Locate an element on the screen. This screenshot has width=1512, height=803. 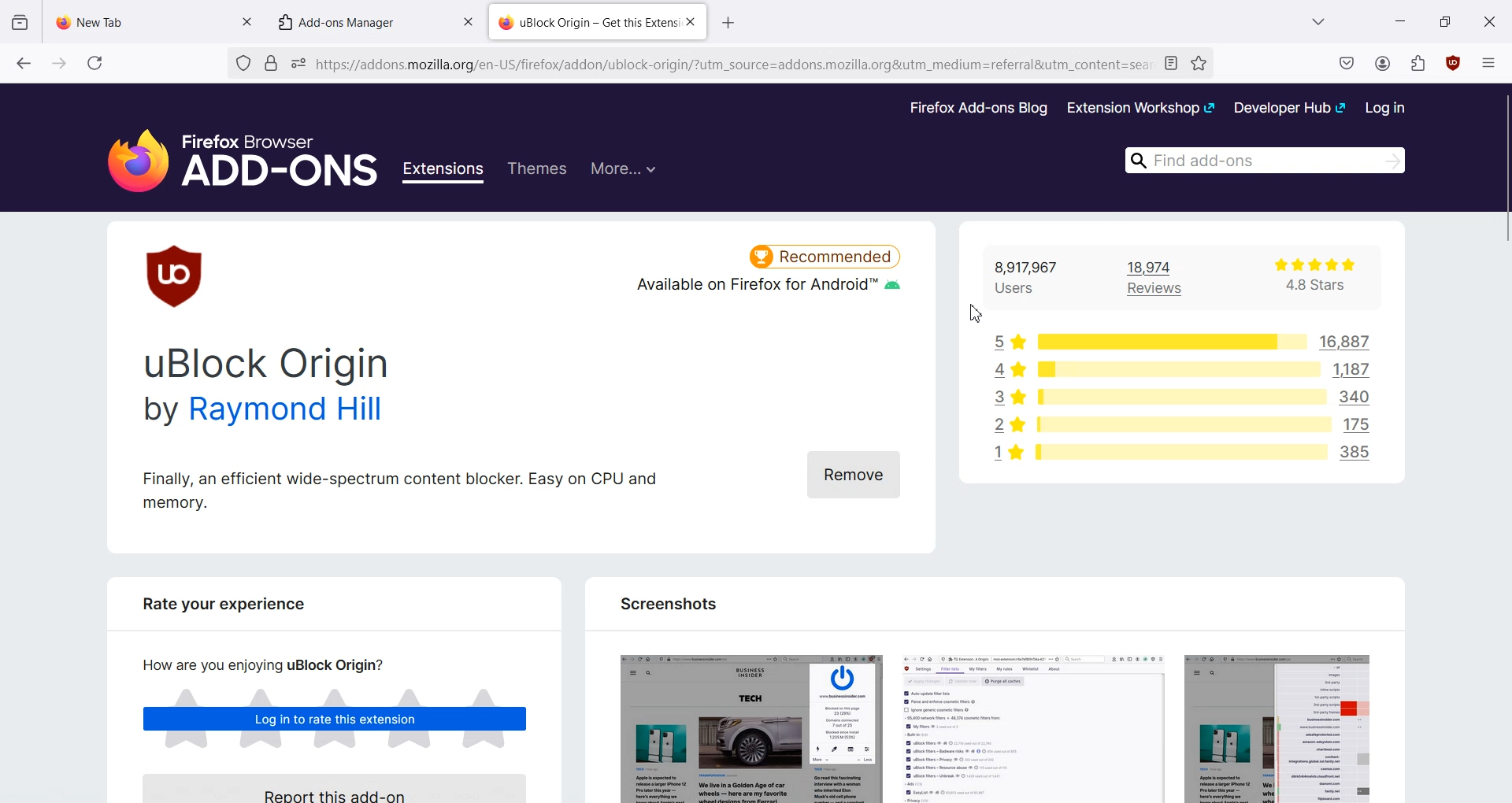
You have granted this website is located at coordinates (298, 62).